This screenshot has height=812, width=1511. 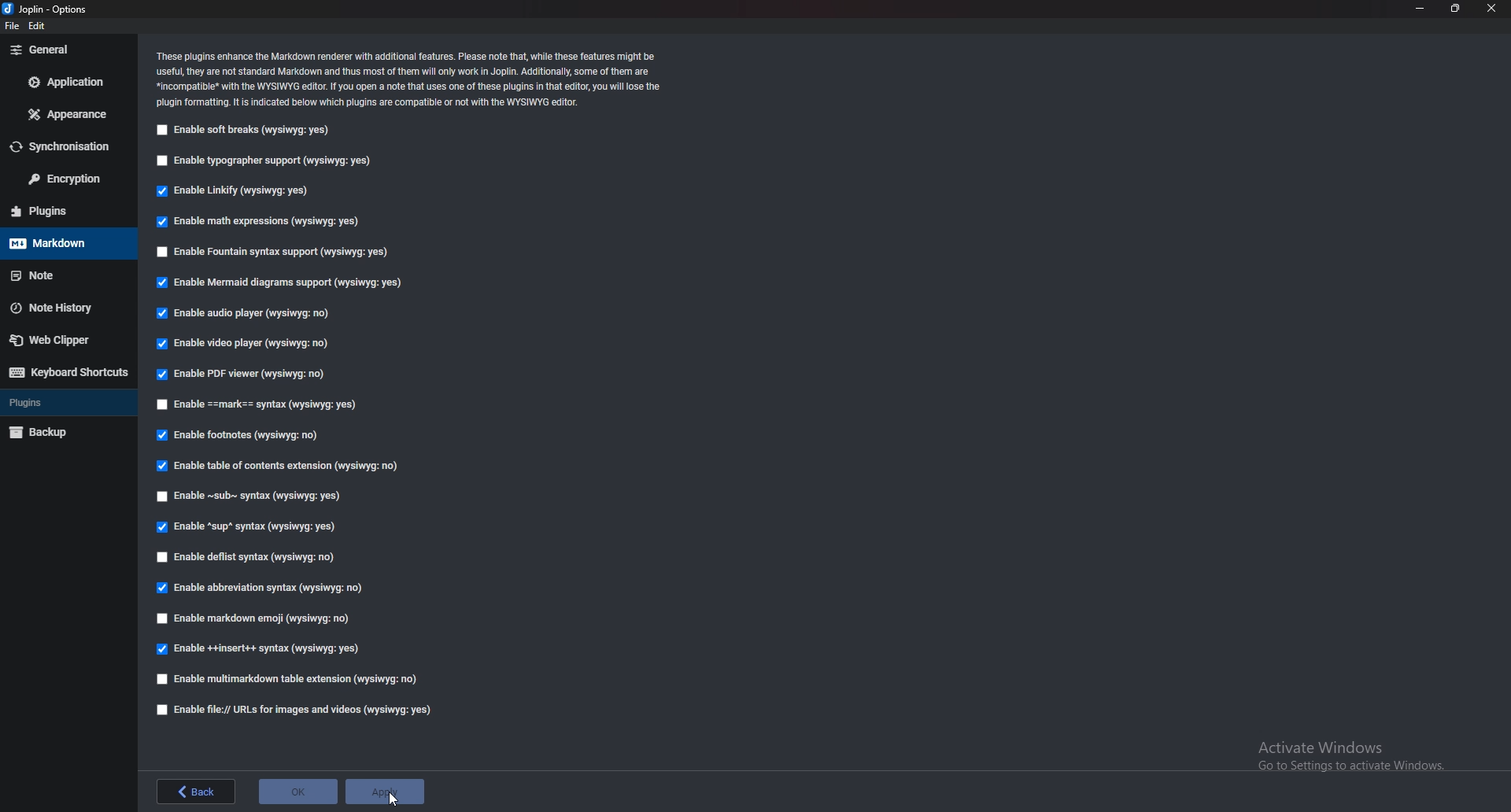 What do you see at coordinates (257, 649) in the screenshot?
I see `enable insert syntax` at bounding box center [257, 649].